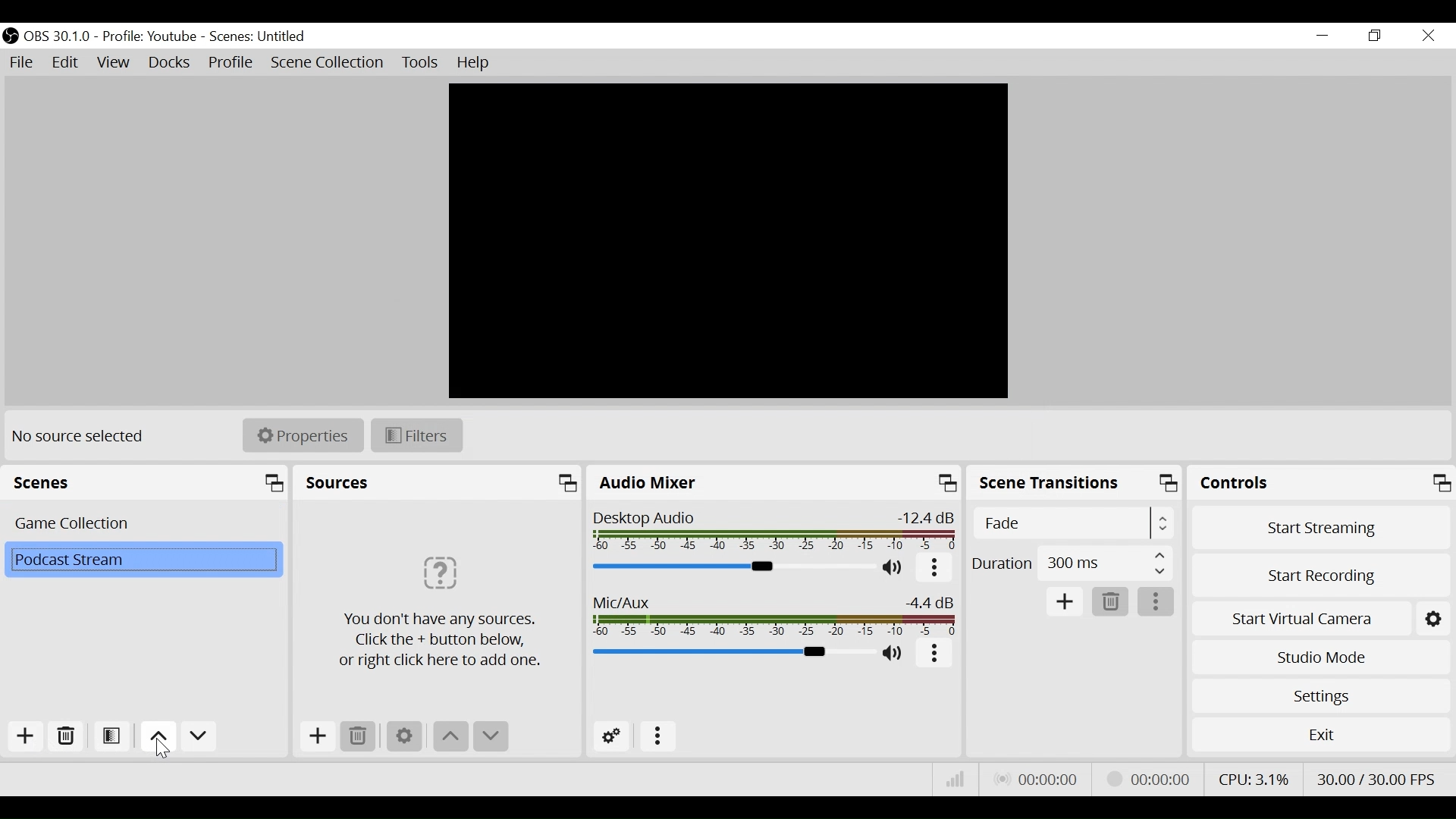  I want to click on Scene , so click(140, 558).